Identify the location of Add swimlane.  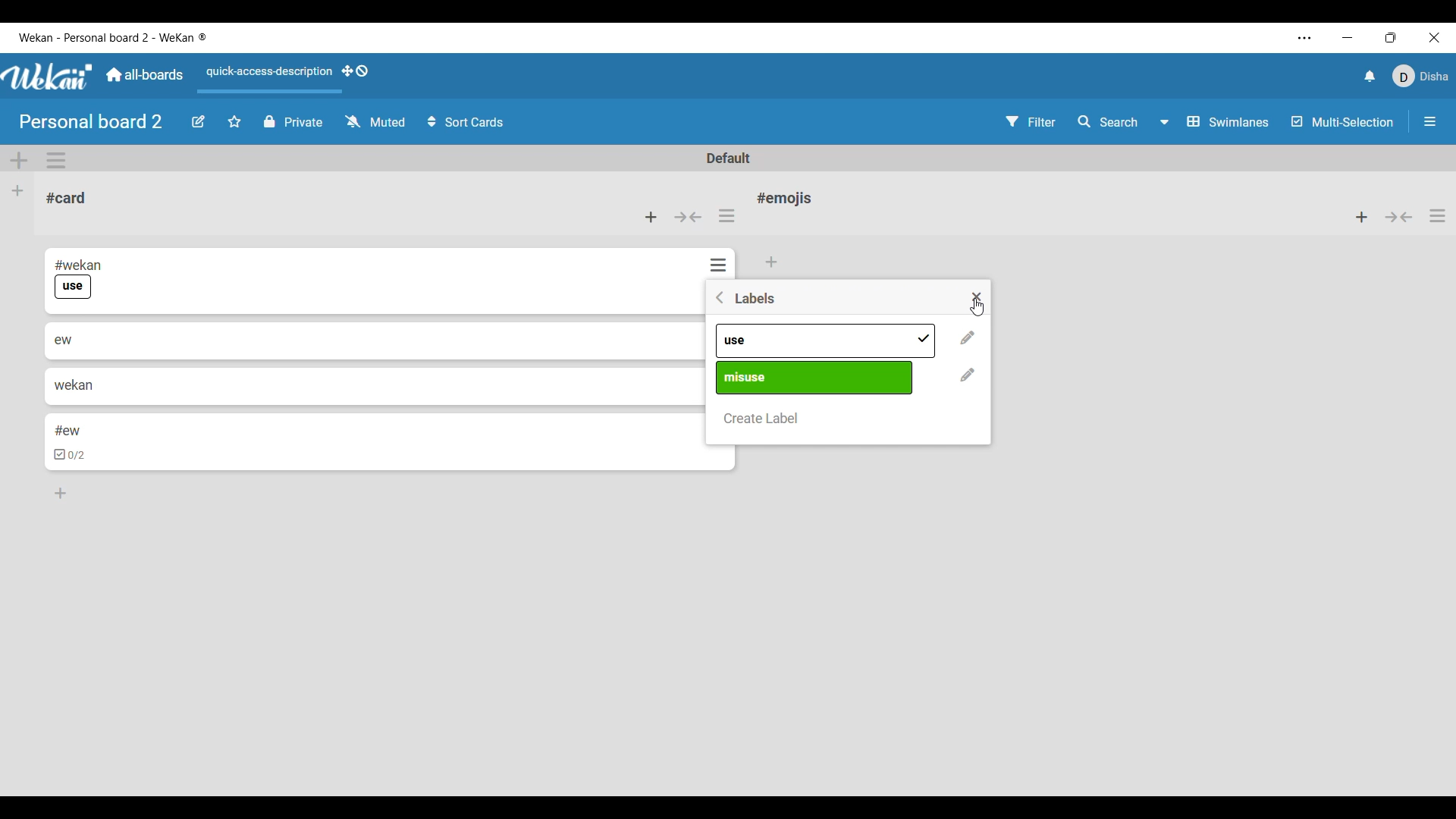
(19, 161).